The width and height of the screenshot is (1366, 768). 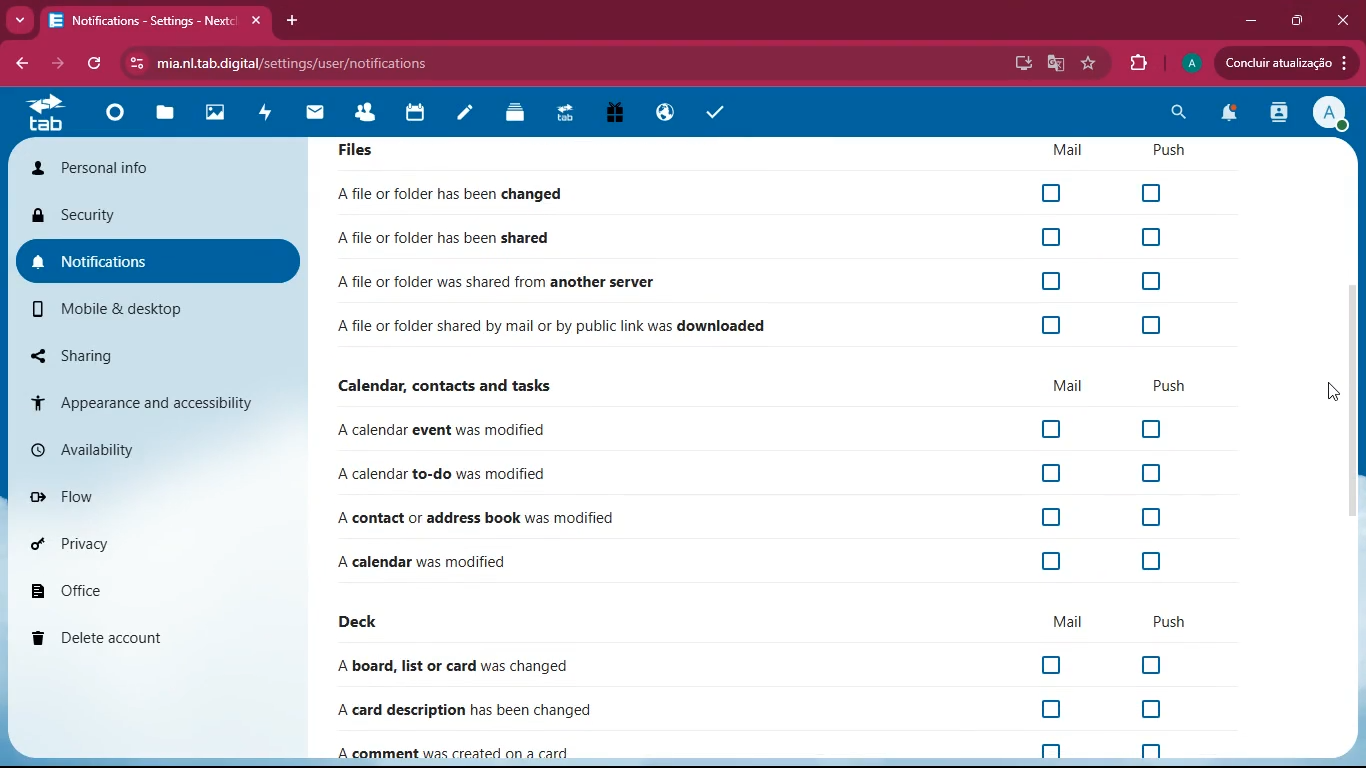 I want to click on friends, so click(x=371, y=115).